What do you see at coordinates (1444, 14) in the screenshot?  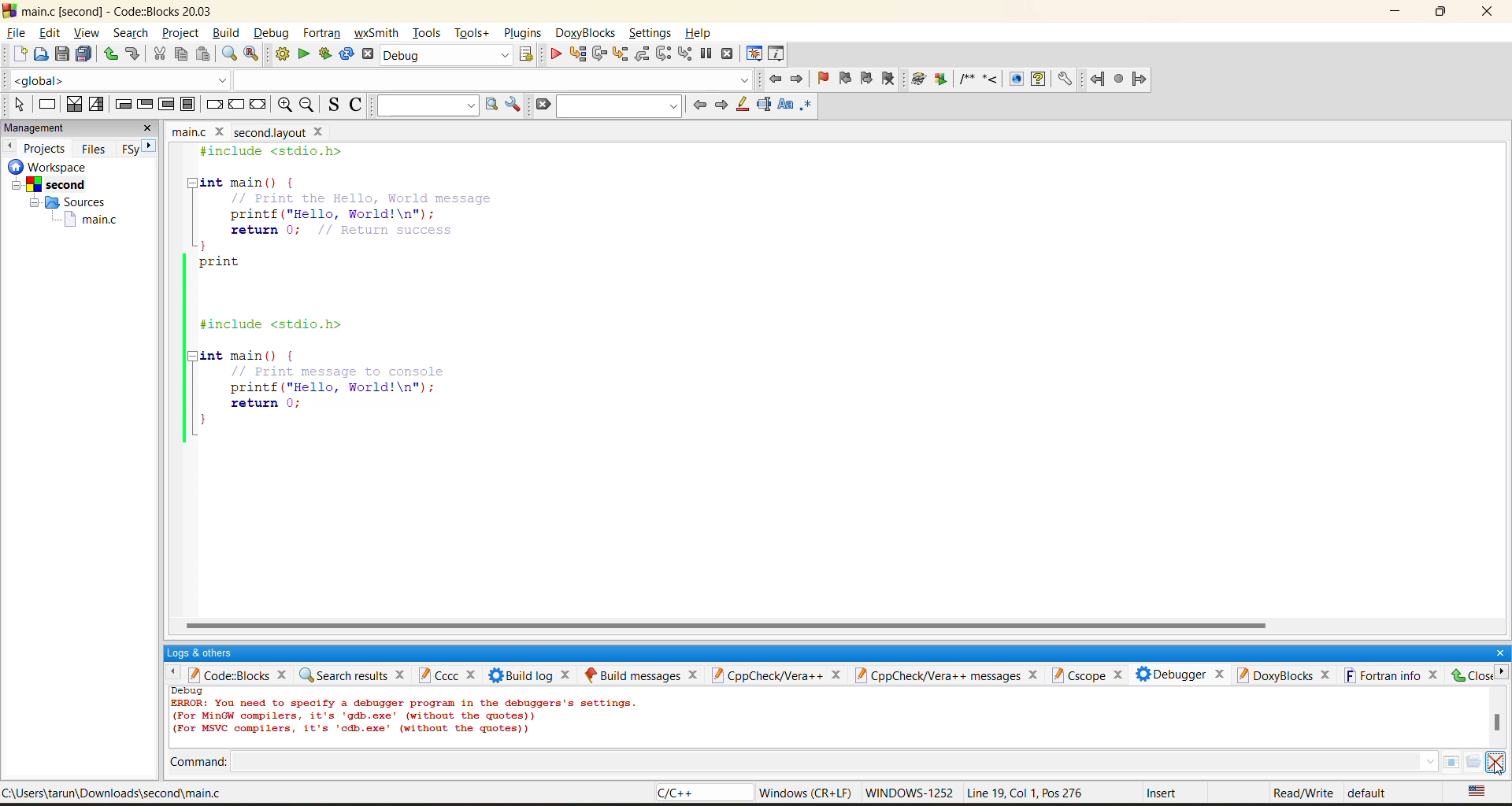 I see `maximize` at bounding box center [1444, 14].